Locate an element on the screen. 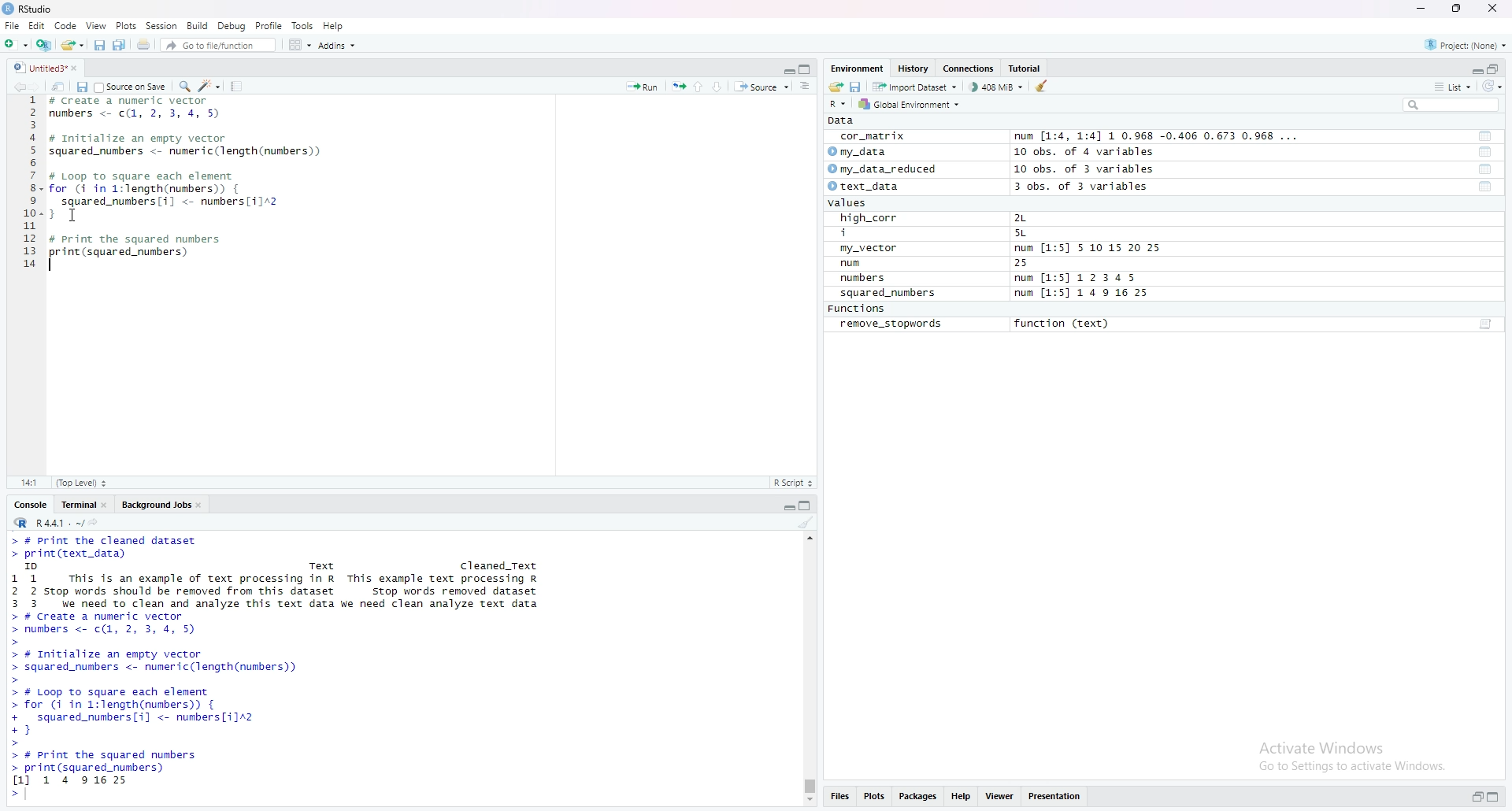 The width and height of the screenshot is (1512, 811). Files is located at coordinates (839, 798).